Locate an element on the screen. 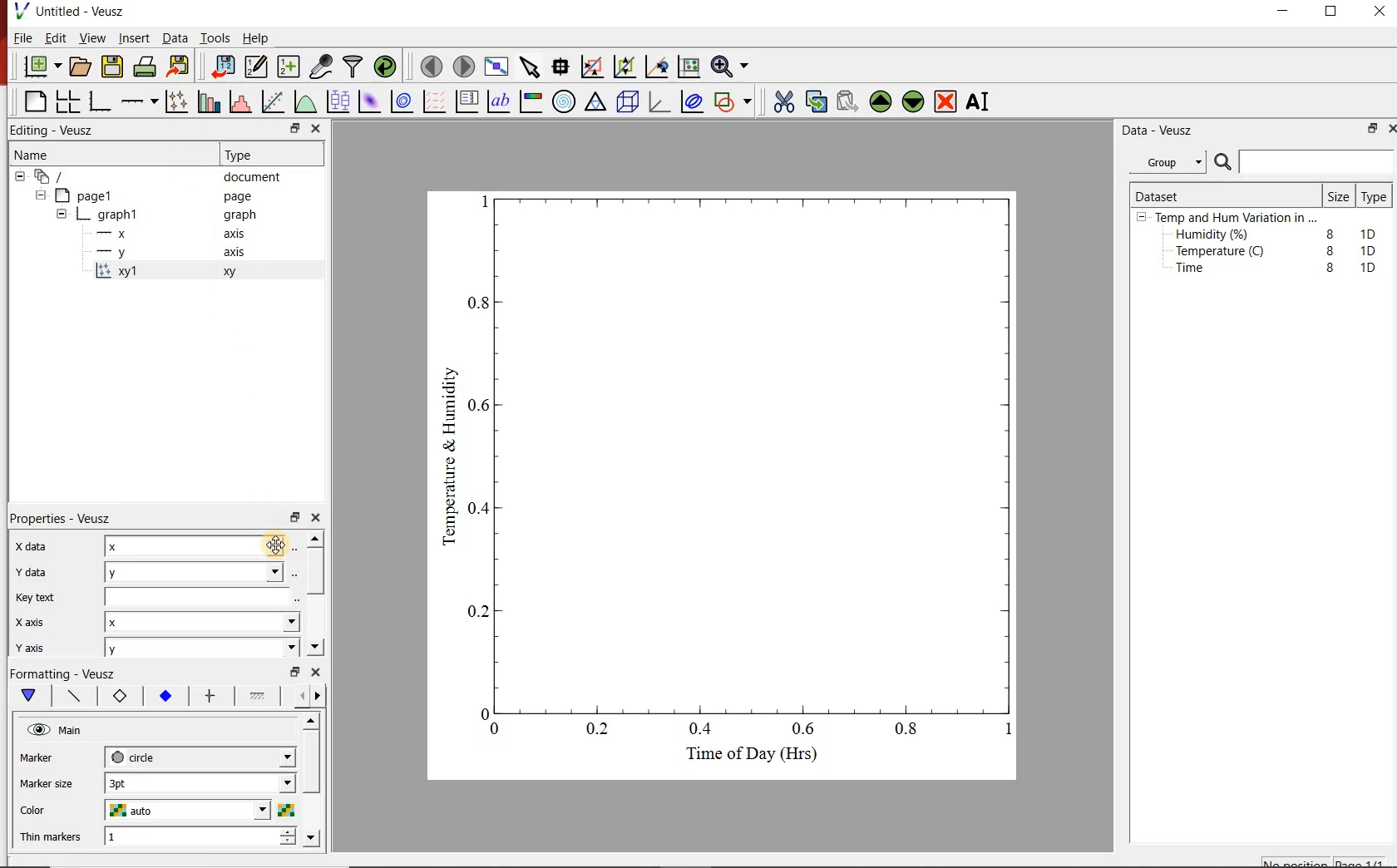  xy is located at coordinates (234, 276).